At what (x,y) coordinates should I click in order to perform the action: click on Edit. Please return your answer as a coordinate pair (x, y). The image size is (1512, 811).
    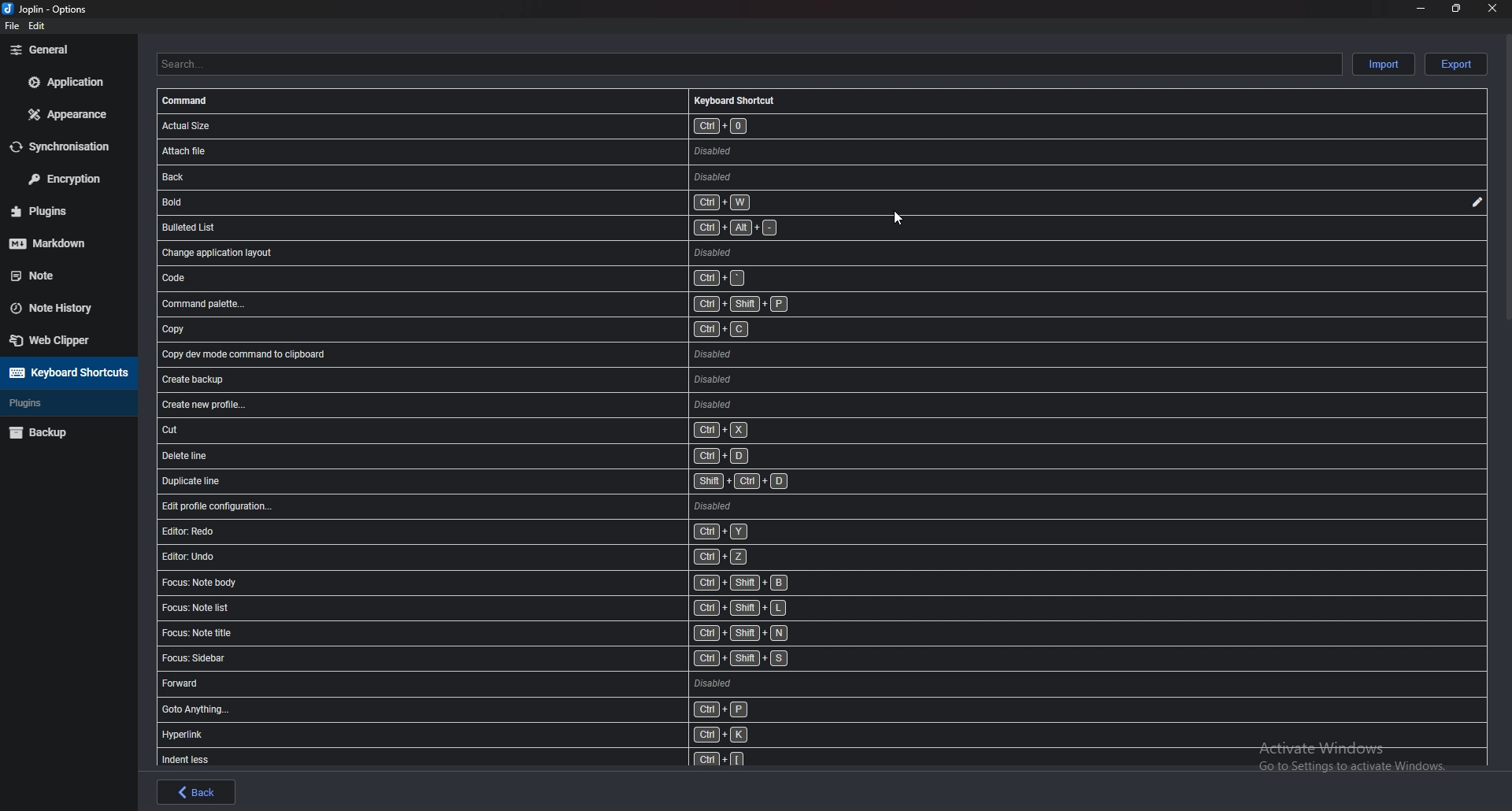
    Looking at the image, I should click on (1477, 203).